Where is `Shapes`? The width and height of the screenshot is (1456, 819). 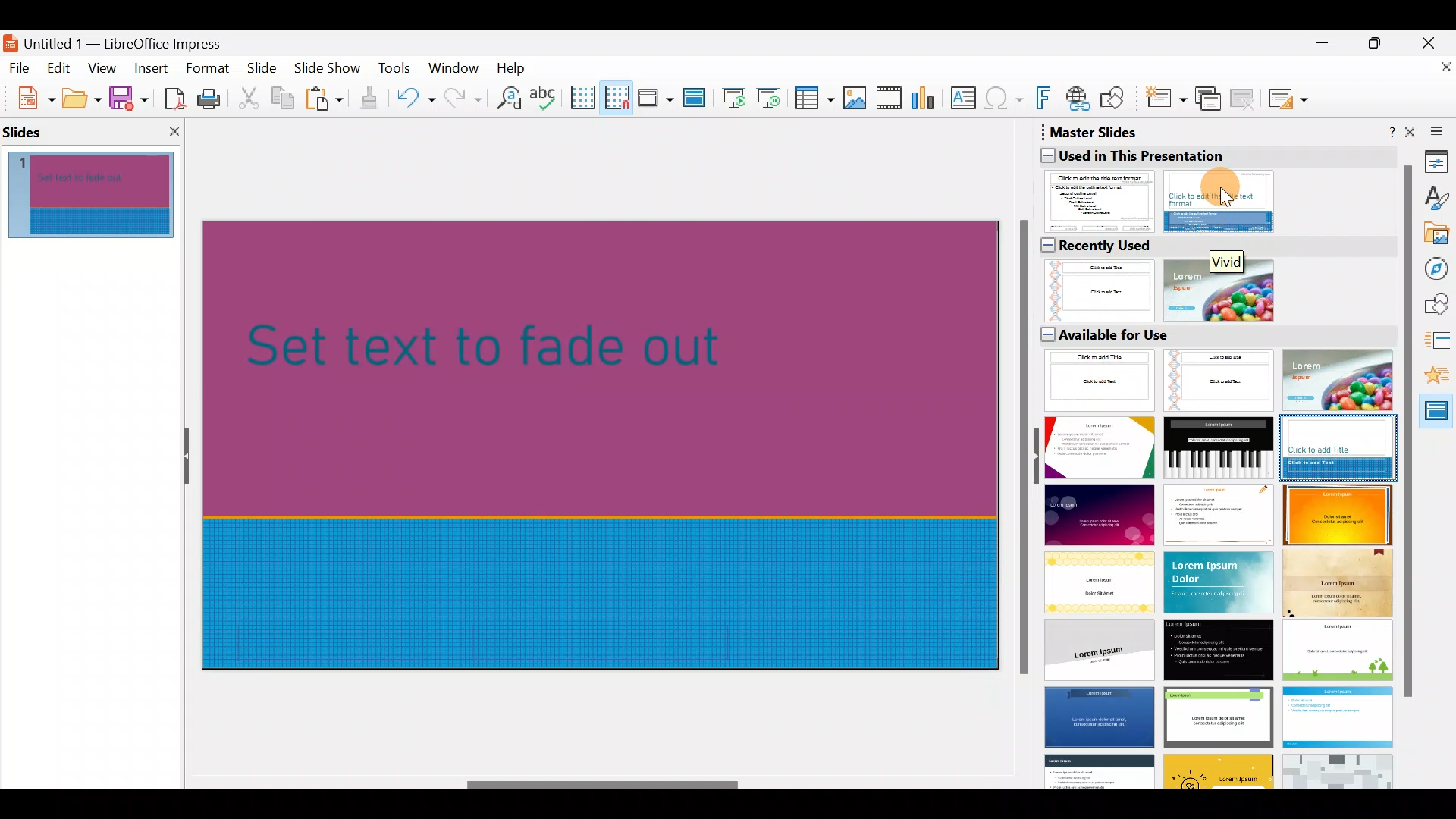
Shapes is located at coordinates (1438, 306).